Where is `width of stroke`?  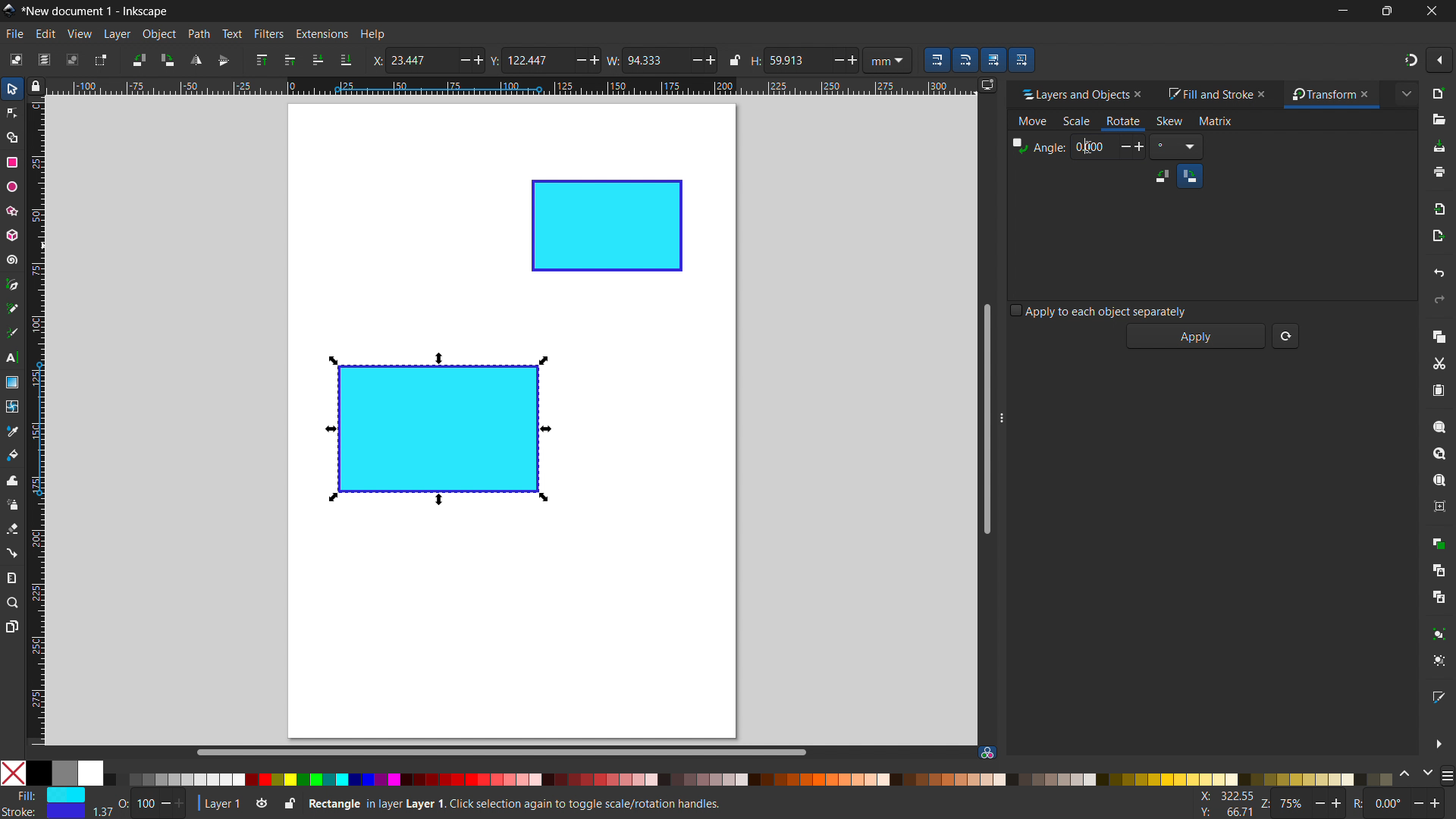
width of stroke is located at coordinates (102, 812).